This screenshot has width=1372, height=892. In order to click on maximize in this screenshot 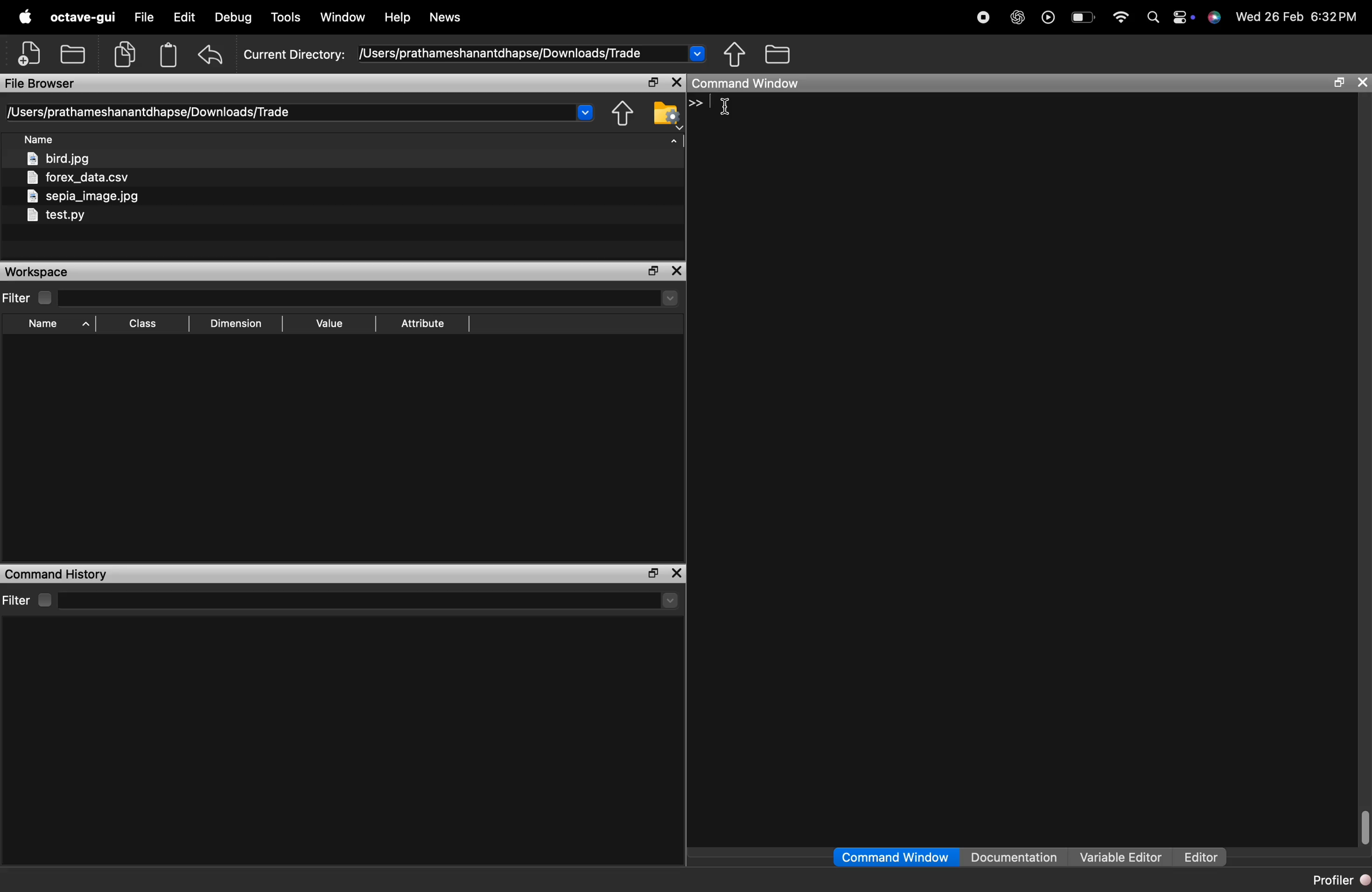, I will do `click(648, 573)`.